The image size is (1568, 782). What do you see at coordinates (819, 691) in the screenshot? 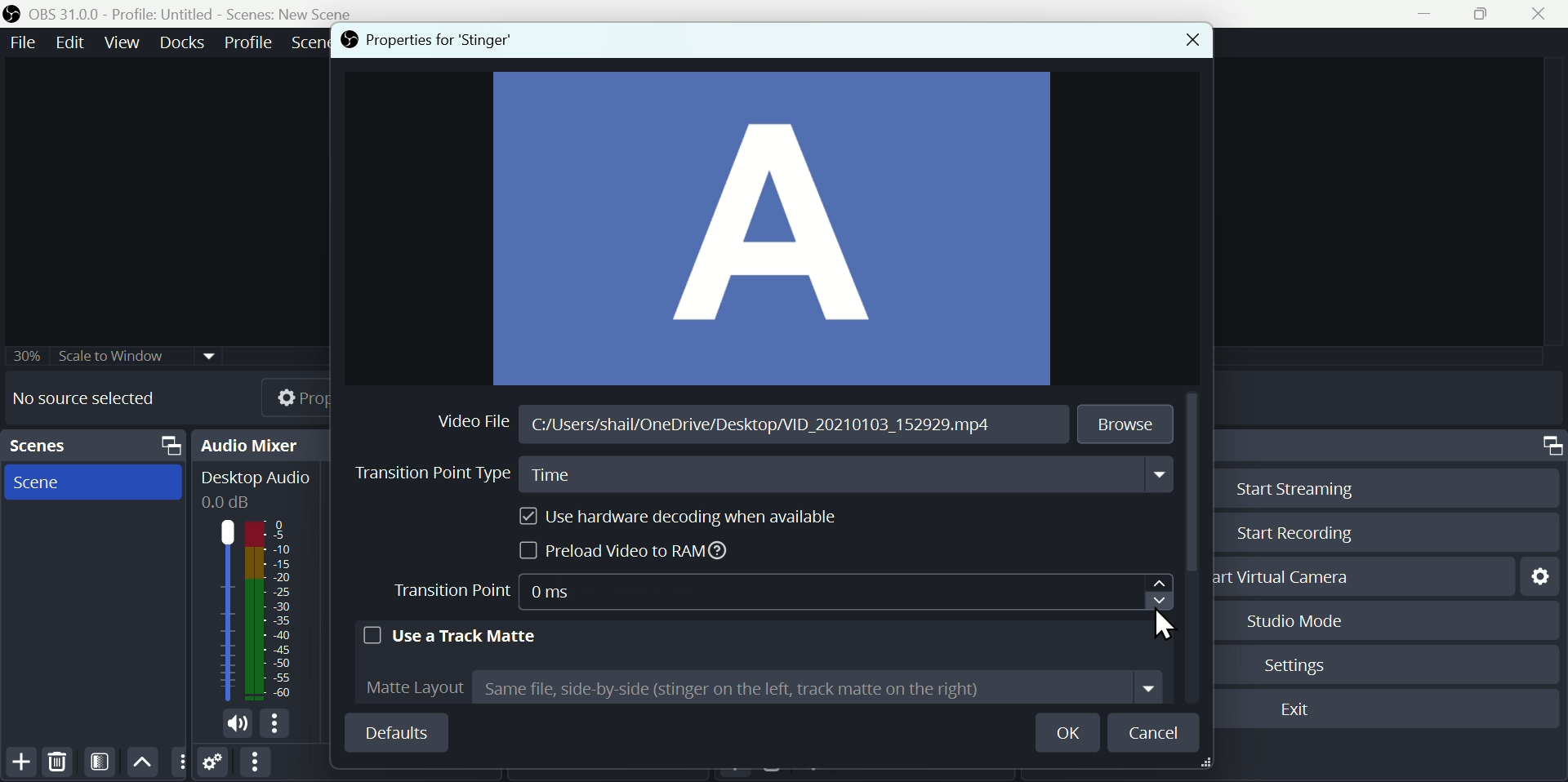
I see `Same file side by side bracket stinger on the left track mate on the] close` at bounding box center [819, 691].